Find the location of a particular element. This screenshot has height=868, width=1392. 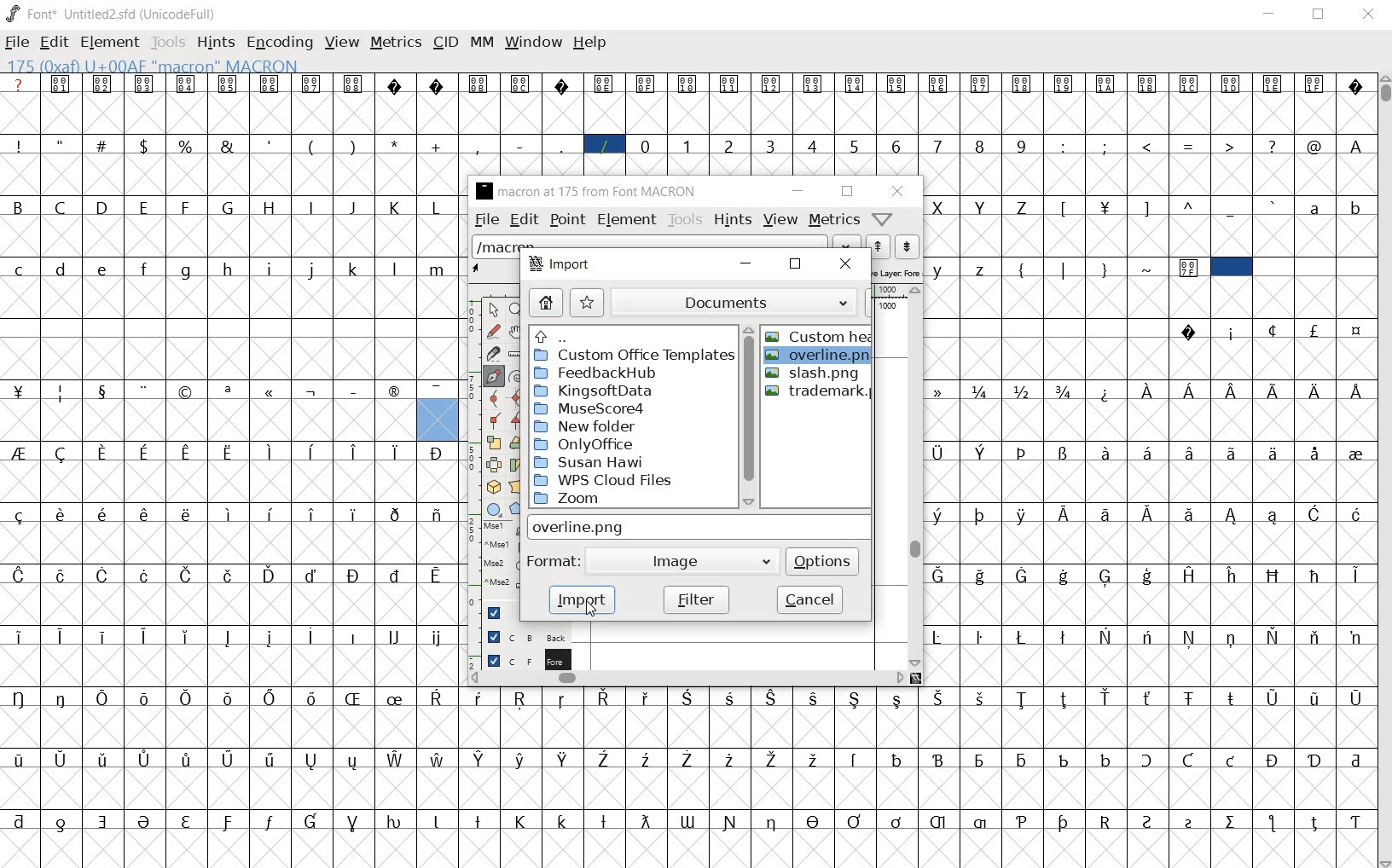

image is located at coordinates (664, 560).